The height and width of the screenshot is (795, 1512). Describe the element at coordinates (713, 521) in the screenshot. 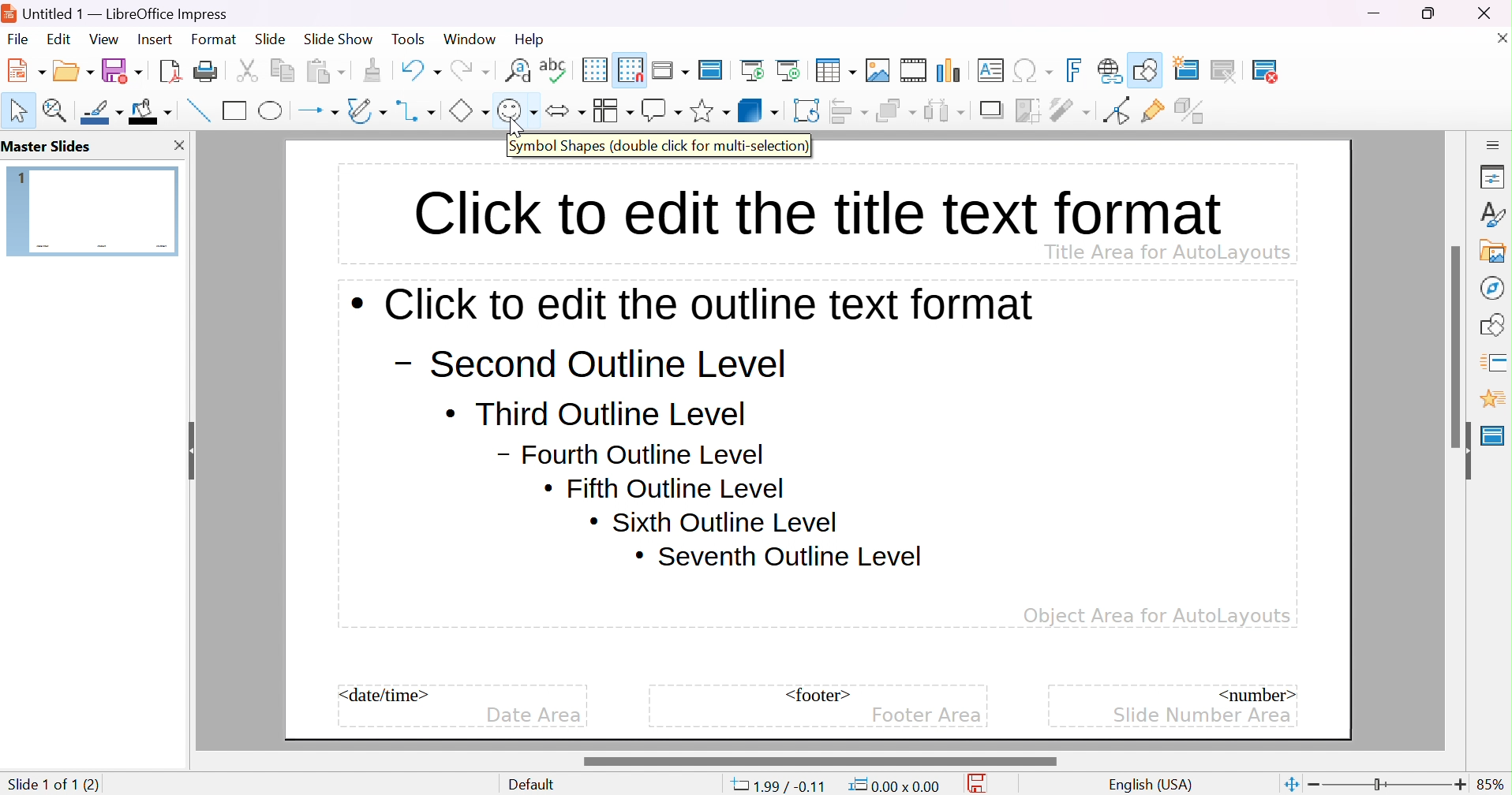

I see `sixth outline level` at that location.